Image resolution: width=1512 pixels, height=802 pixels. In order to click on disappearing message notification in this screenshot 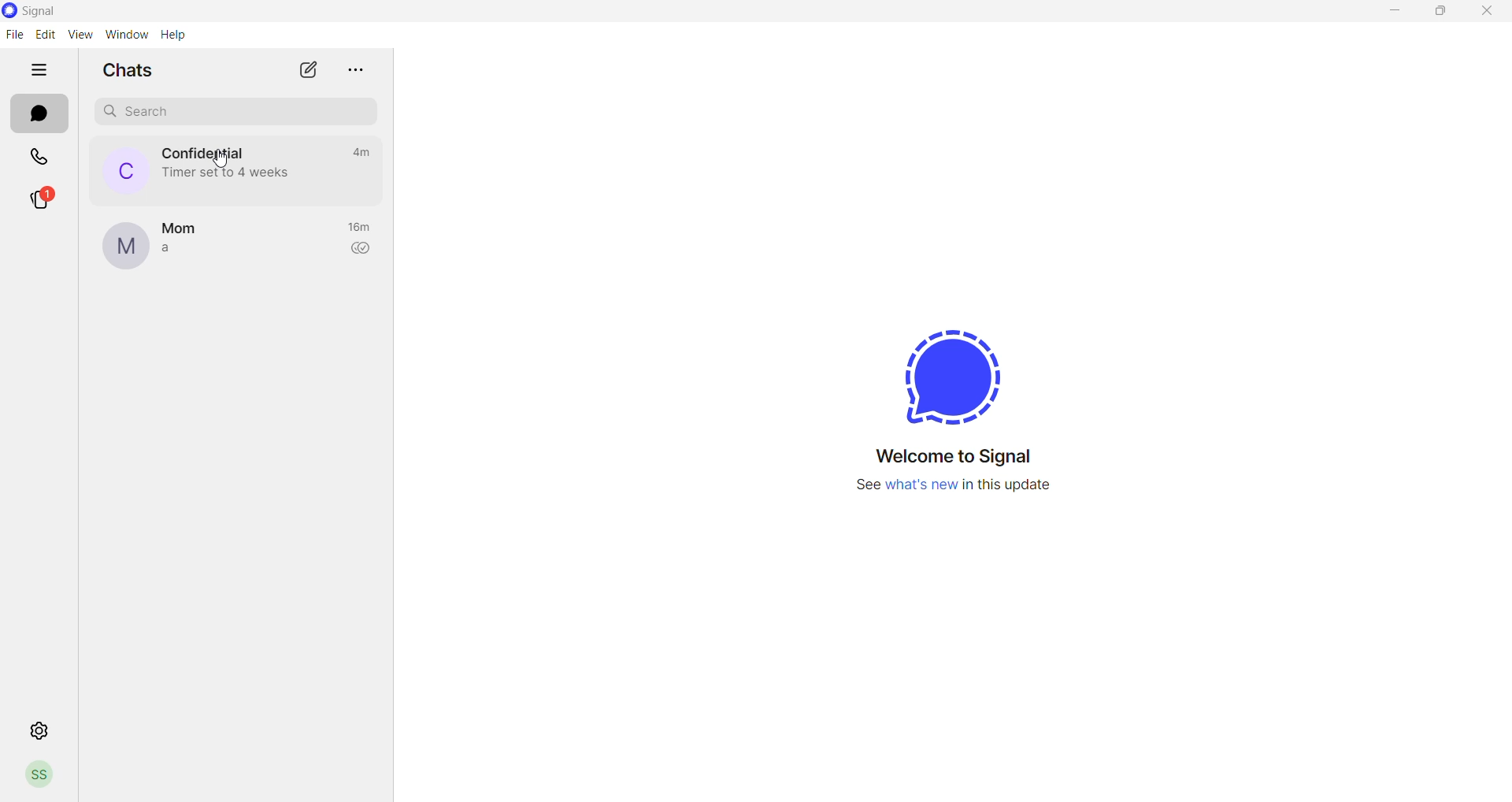, I will do `click(226, 175)`.